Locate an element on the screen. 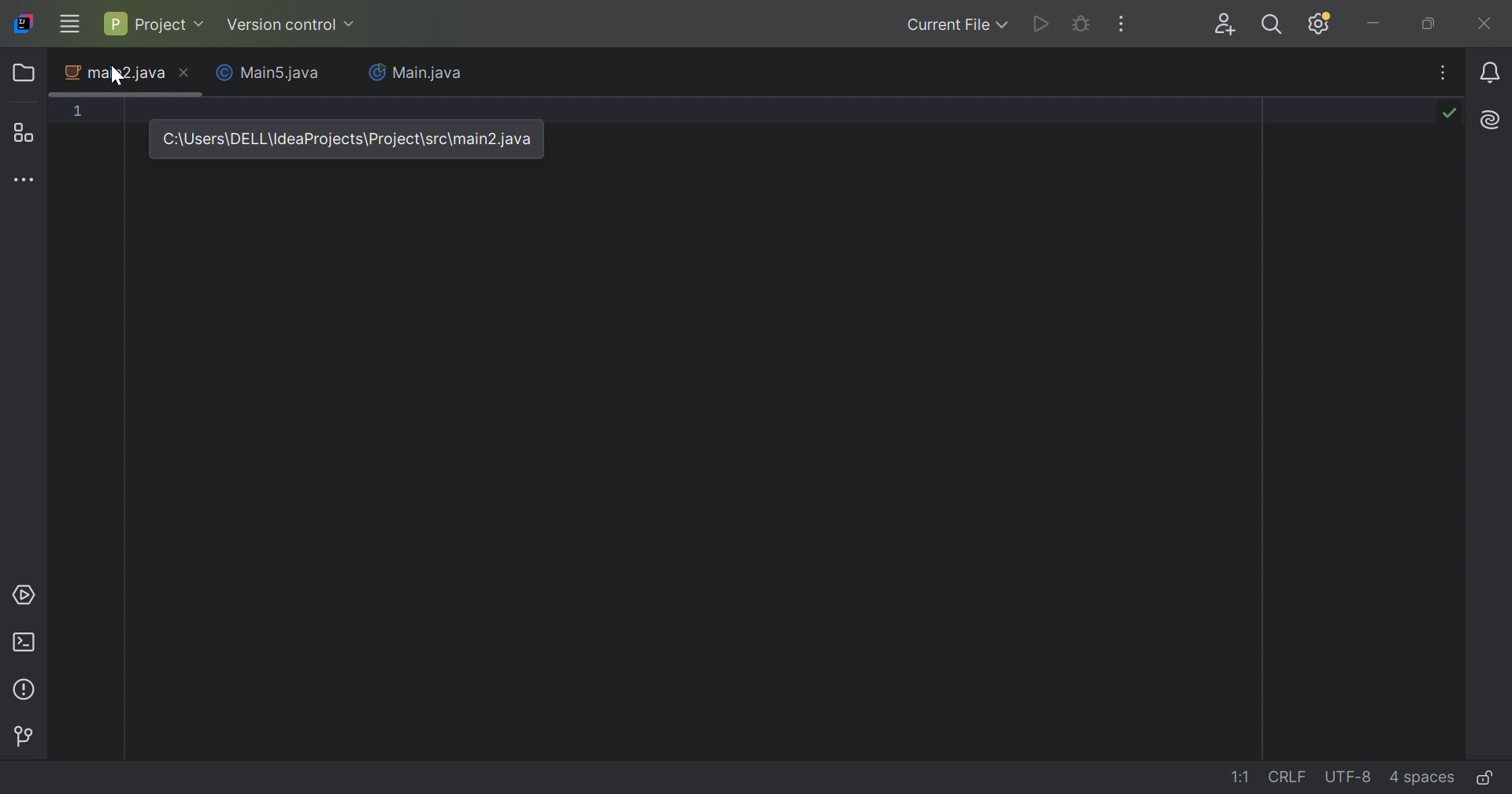 The image size is (1512, 794). Run is located at coordinates (1042, 24).